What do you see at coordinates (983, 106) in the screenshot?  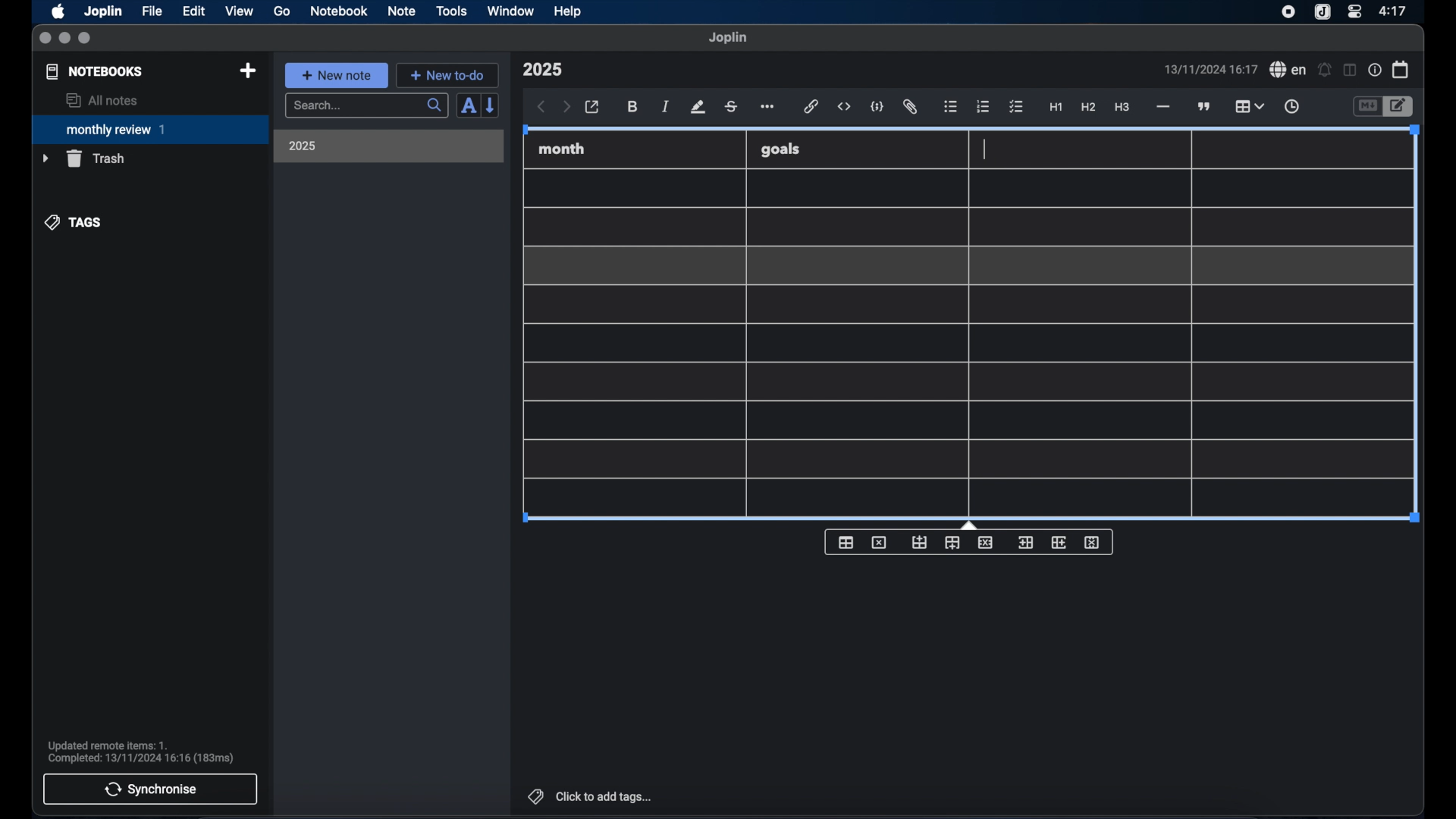 I see `numbered list` at bounding box center [983, 106].